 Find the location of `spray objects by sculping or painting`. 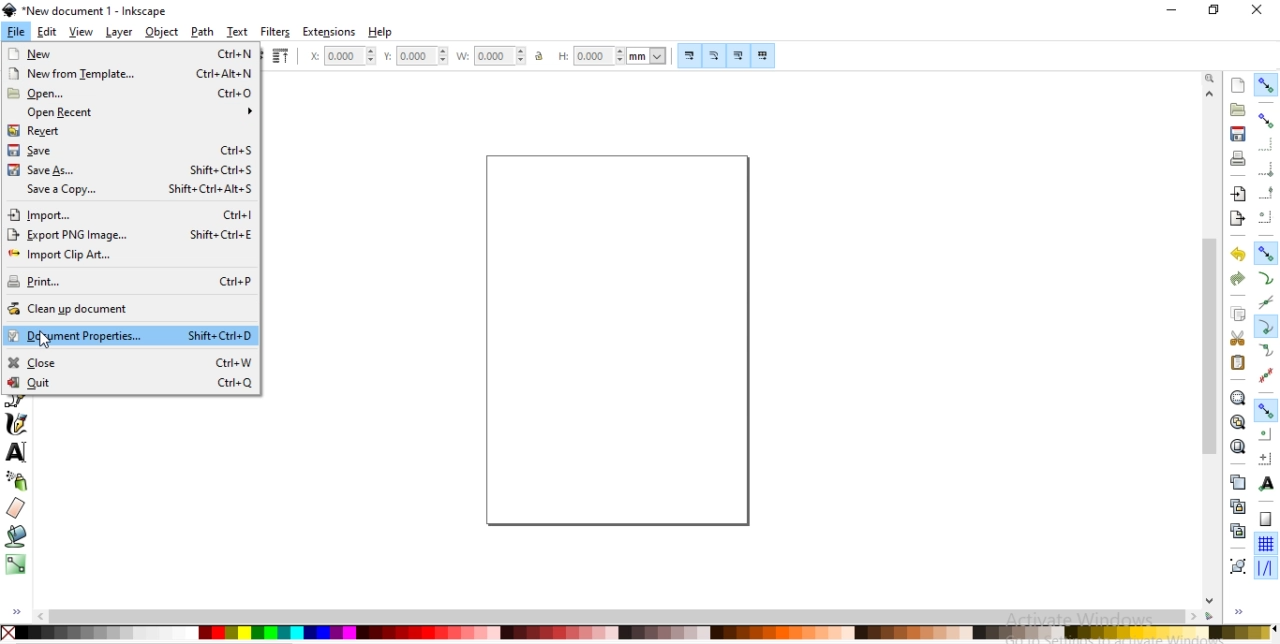

spray objects by sculping or painting is located at coordinates (21, 480).